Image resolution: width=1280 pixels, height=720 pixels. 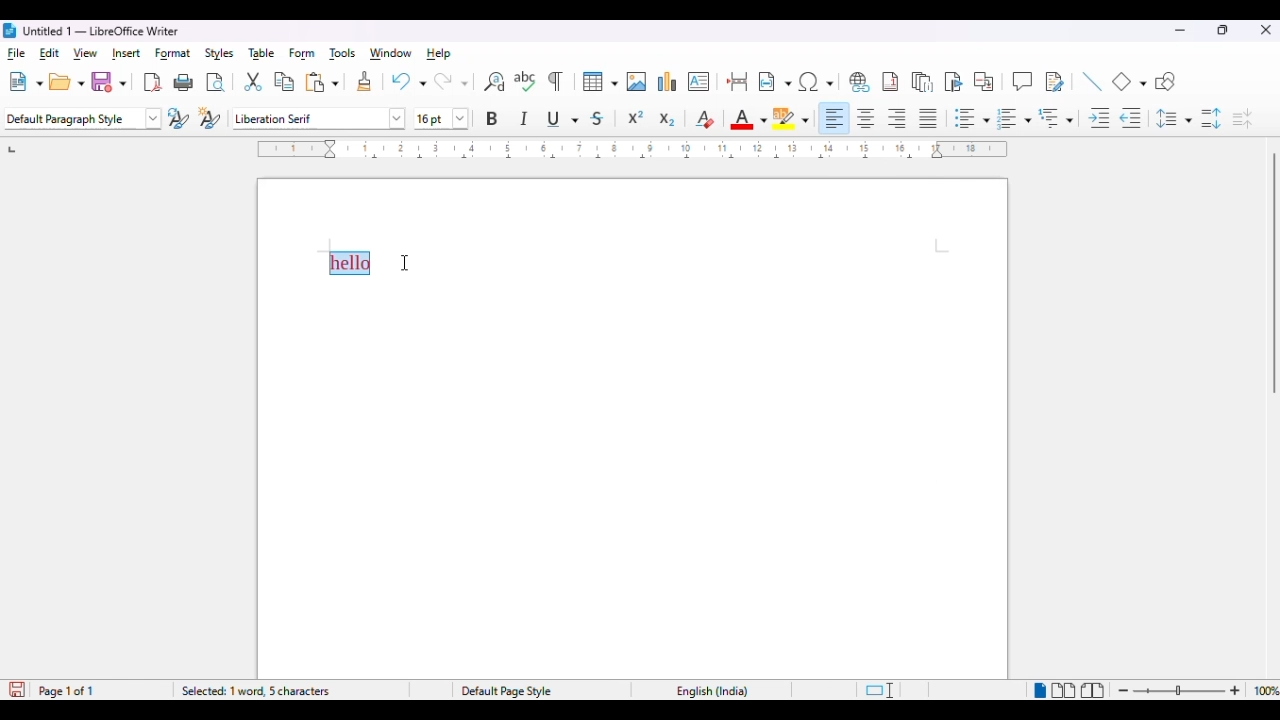 What do you see at coordinates (101, 30) in the screenshot?
I see `title` at bounding box center [101, 30].